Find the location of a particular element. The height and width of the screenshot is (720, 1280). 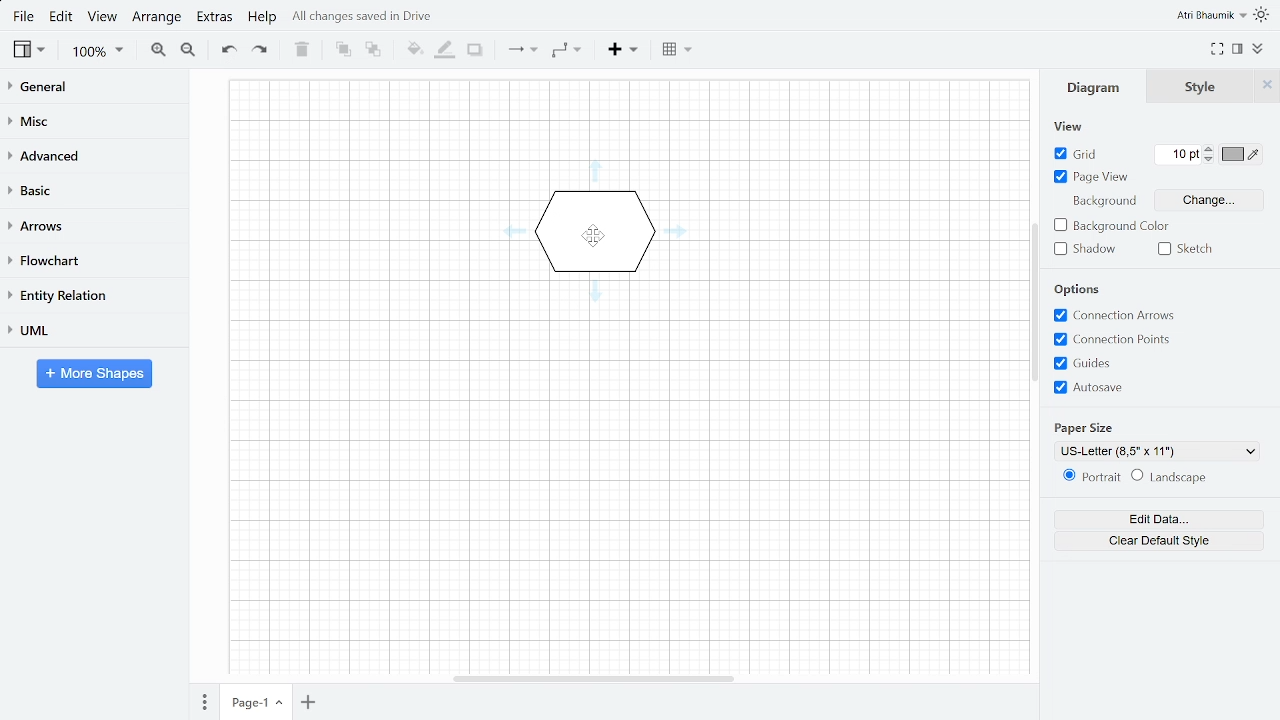

Misc is located at coordinates (94, 120).